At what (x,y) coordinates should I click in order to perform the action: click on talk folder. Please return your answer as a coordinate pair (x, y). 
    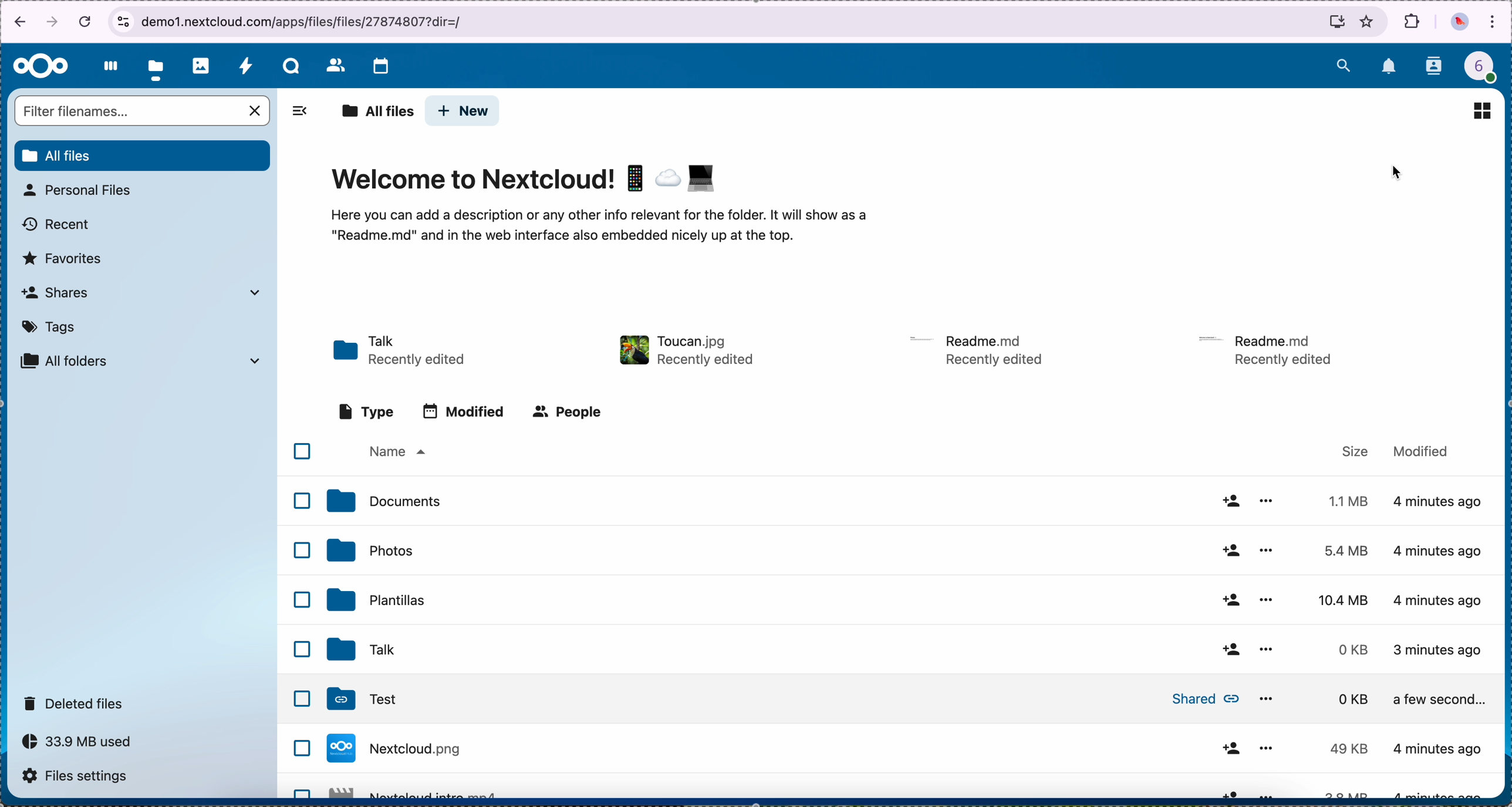
    Looking at the image, I should click on (401, 352).